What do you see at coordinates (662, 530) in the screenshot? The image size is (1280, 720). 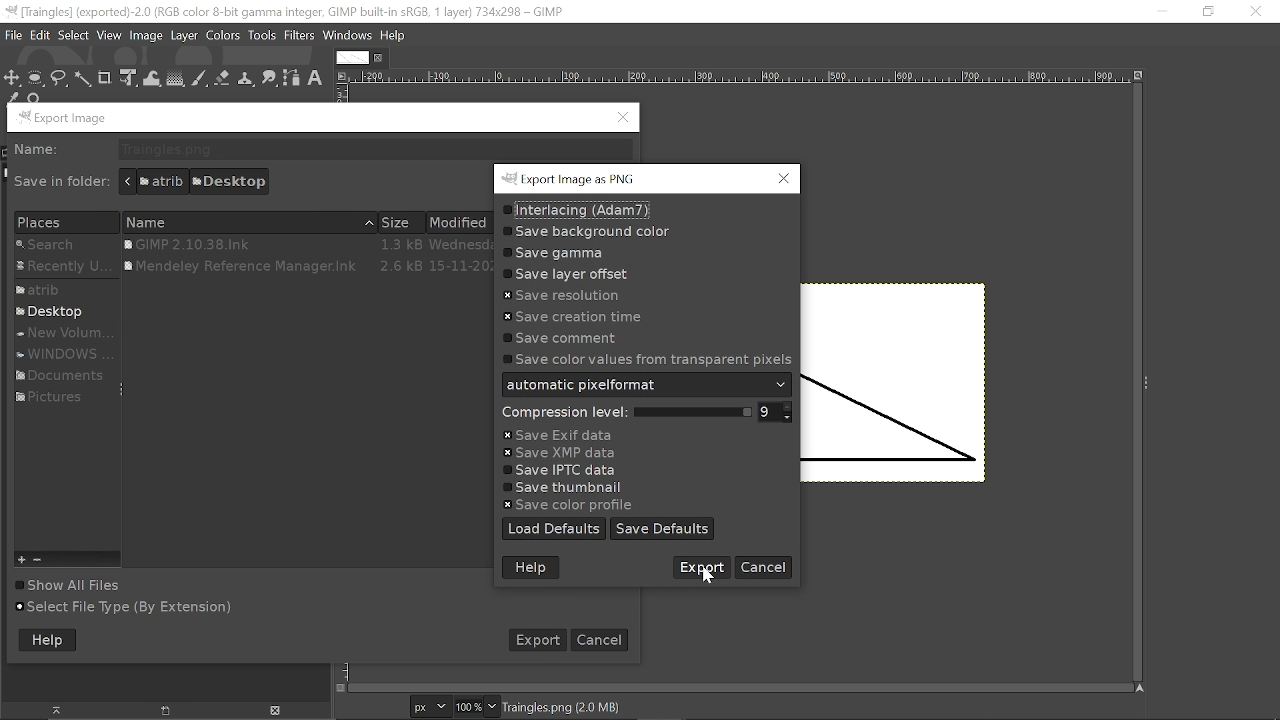 I see `Save defaults` at bounding box center [662, 530].